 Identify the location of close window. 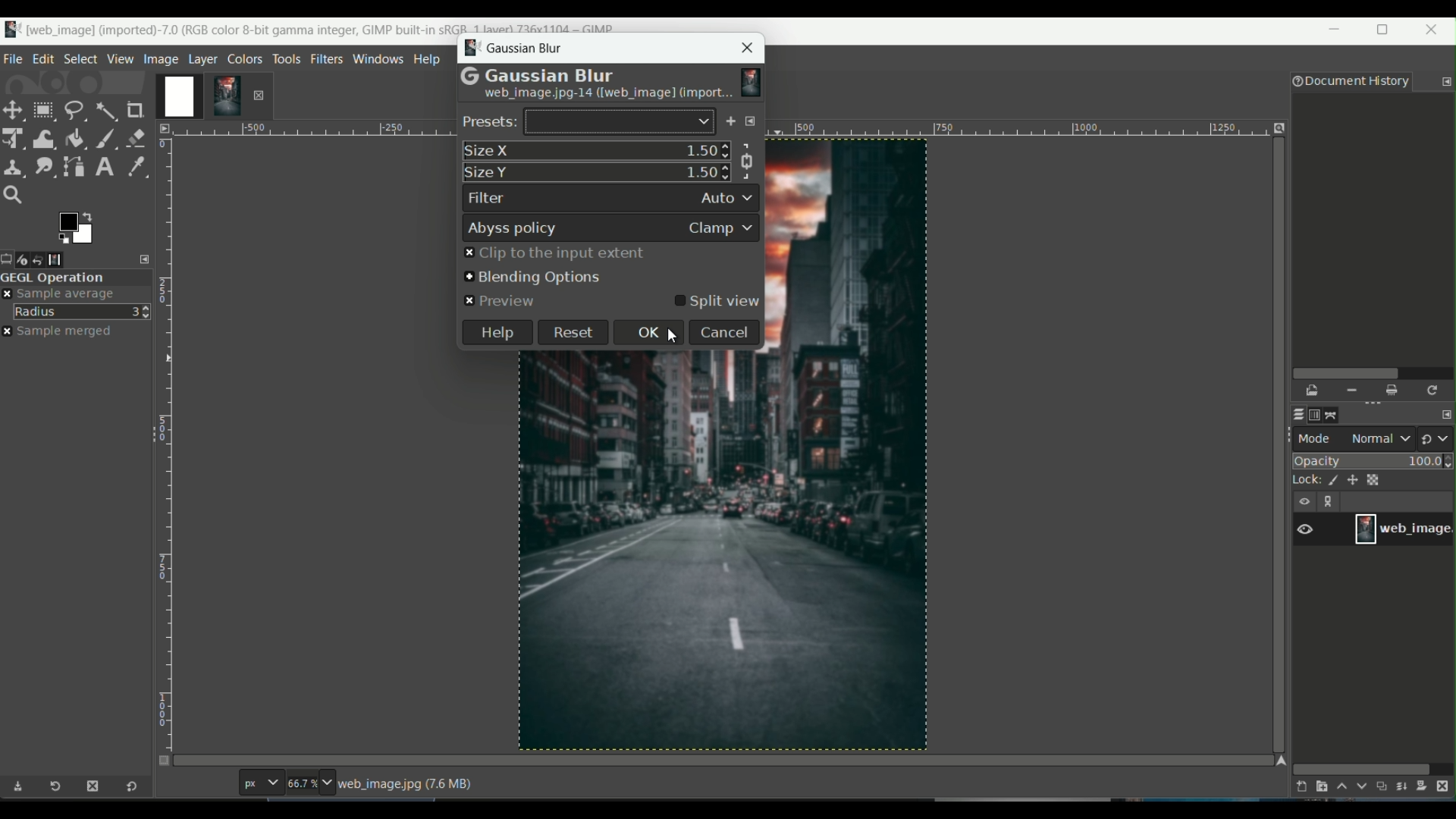
(1435, 32).